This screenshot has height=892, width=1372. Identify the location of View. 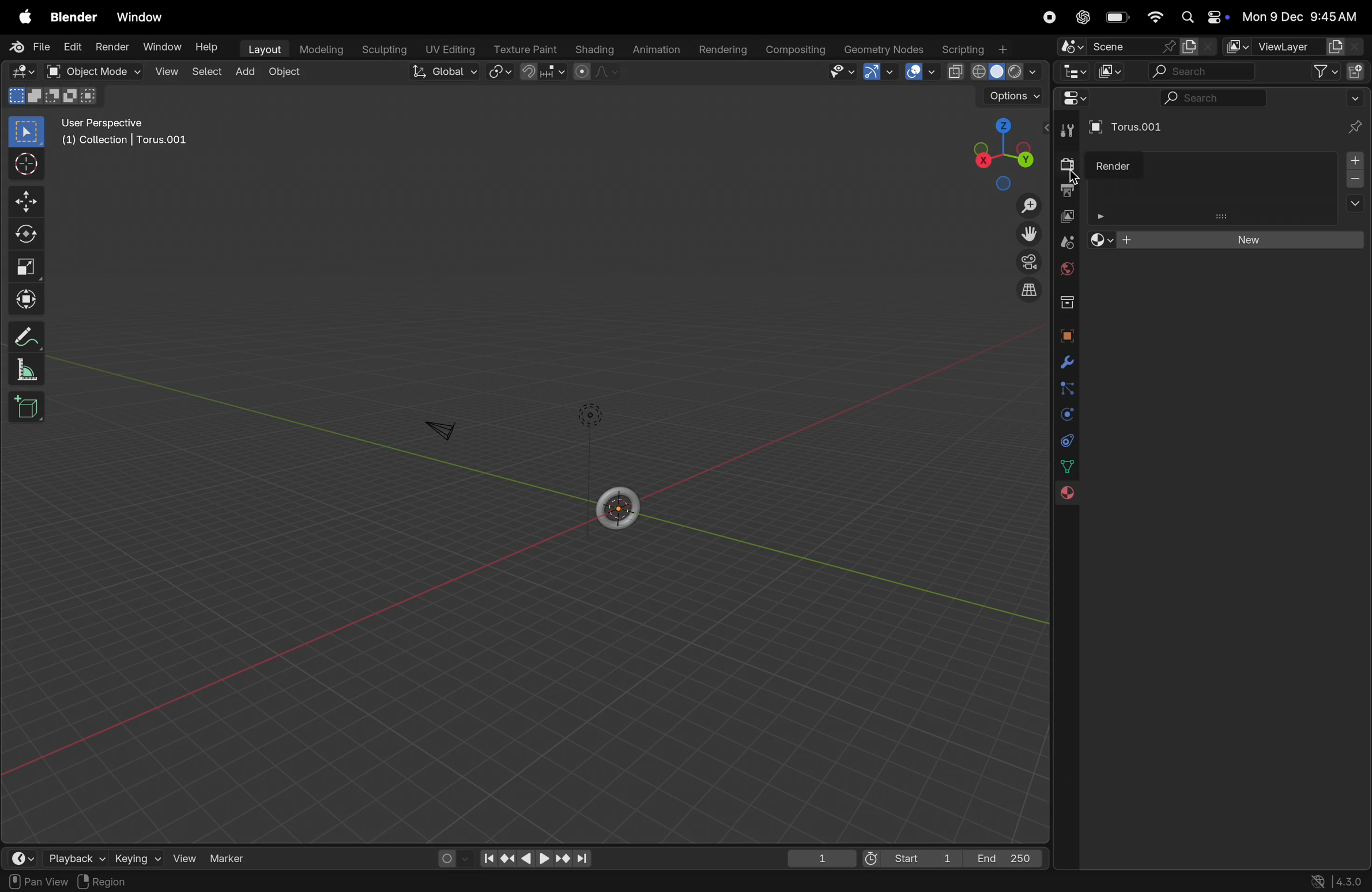
(188, 857).